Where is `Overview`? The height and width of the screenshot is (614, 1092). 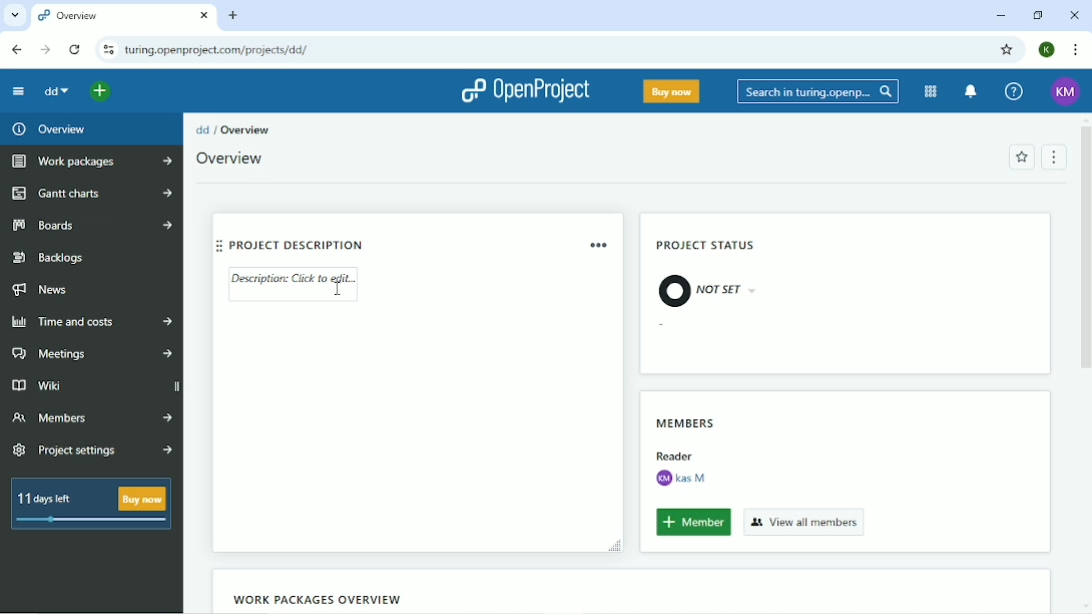 Overview is located at coordinates (246, 130).